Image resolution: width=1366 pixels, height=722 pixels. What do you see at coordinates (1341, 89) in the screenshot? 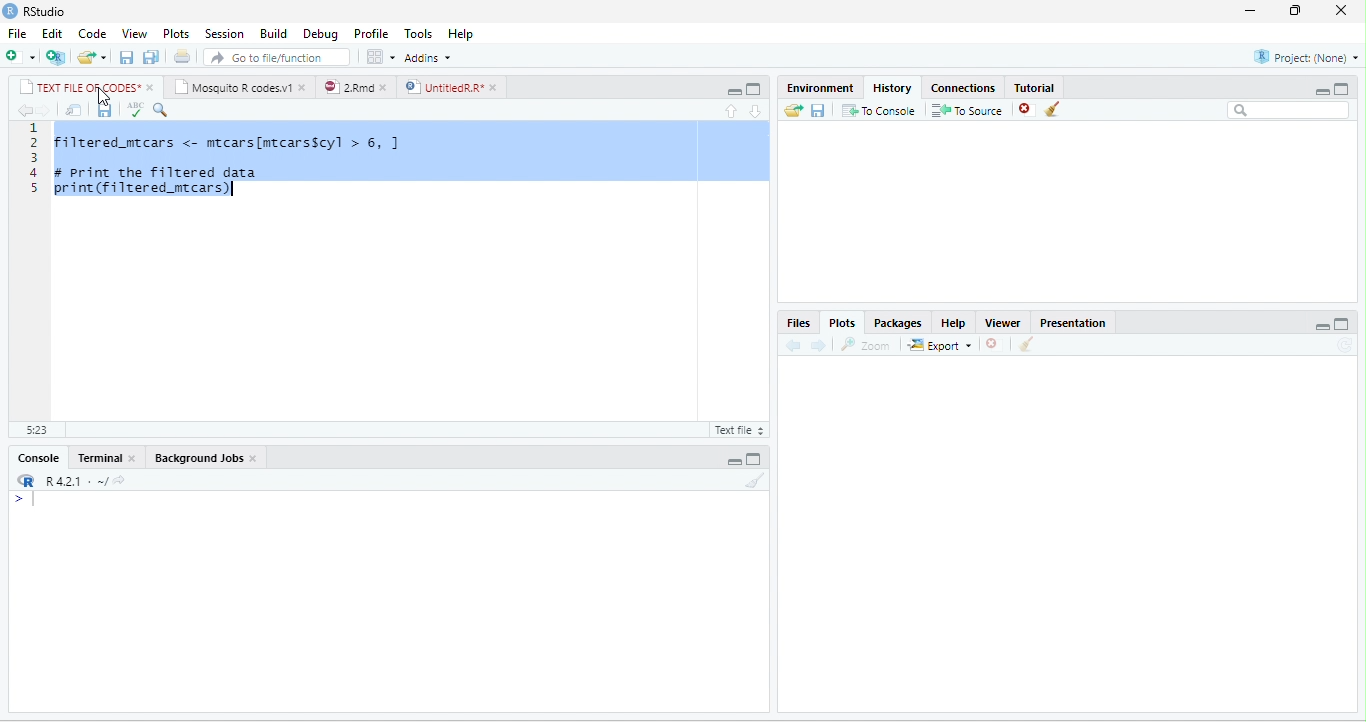
I see `maximize` at bounding box center [1341, 89].